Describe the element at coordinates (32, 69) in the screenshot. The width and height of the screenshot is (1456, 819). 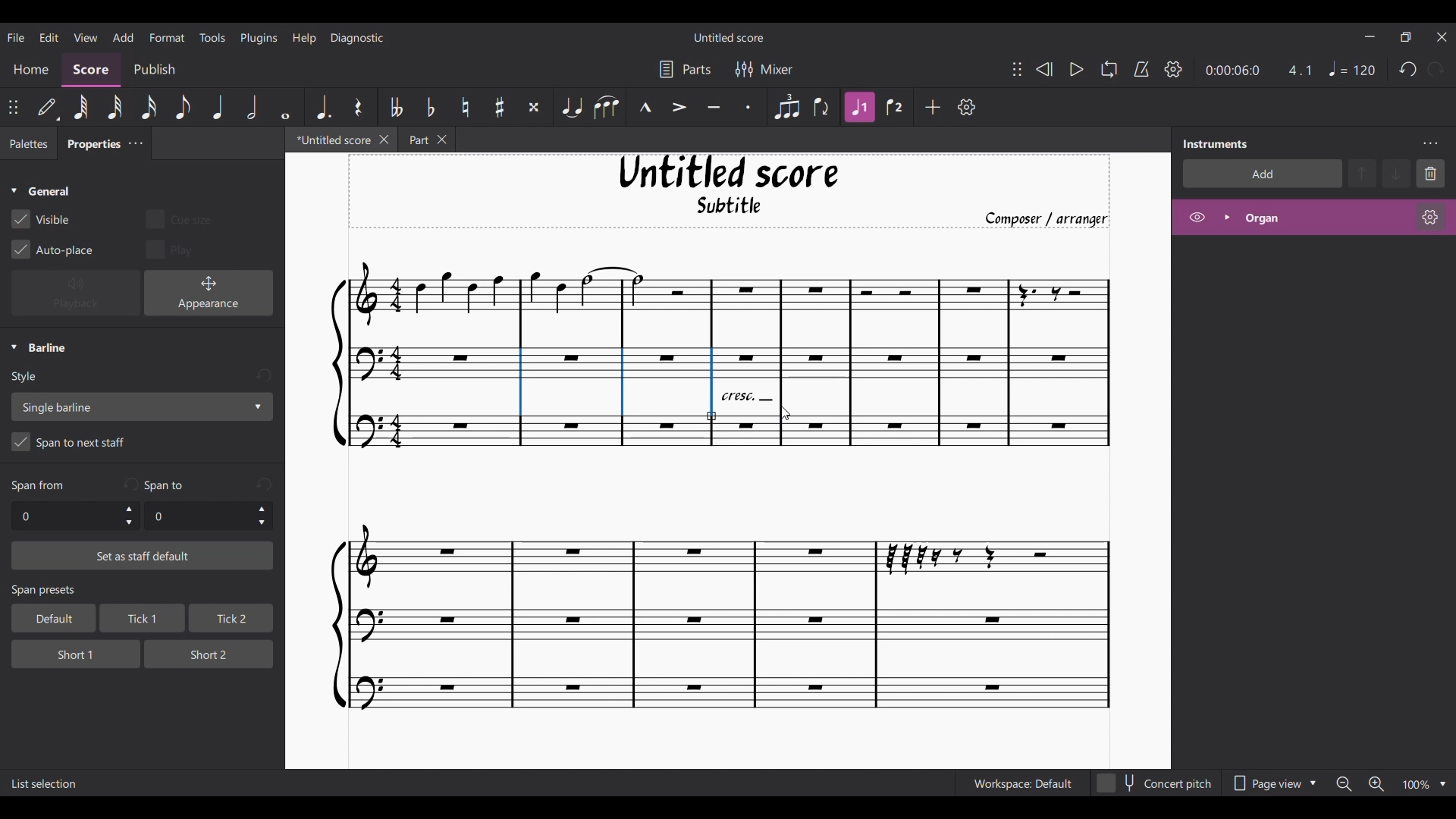
I see `Home section` at that location.